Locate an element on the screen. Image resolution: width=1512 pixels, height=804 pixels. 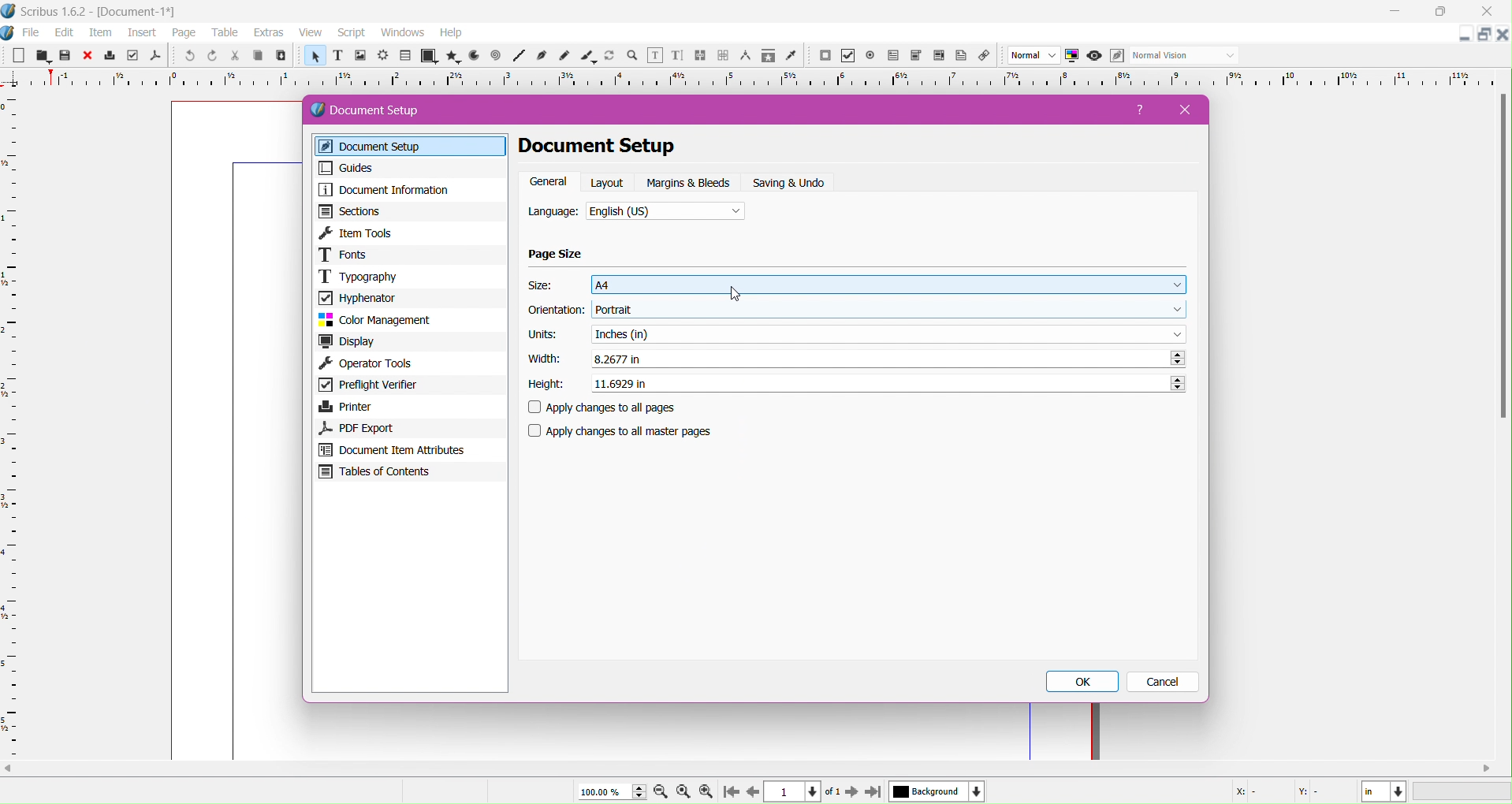
Preflight Verifier is located at coordinates (408, 386).